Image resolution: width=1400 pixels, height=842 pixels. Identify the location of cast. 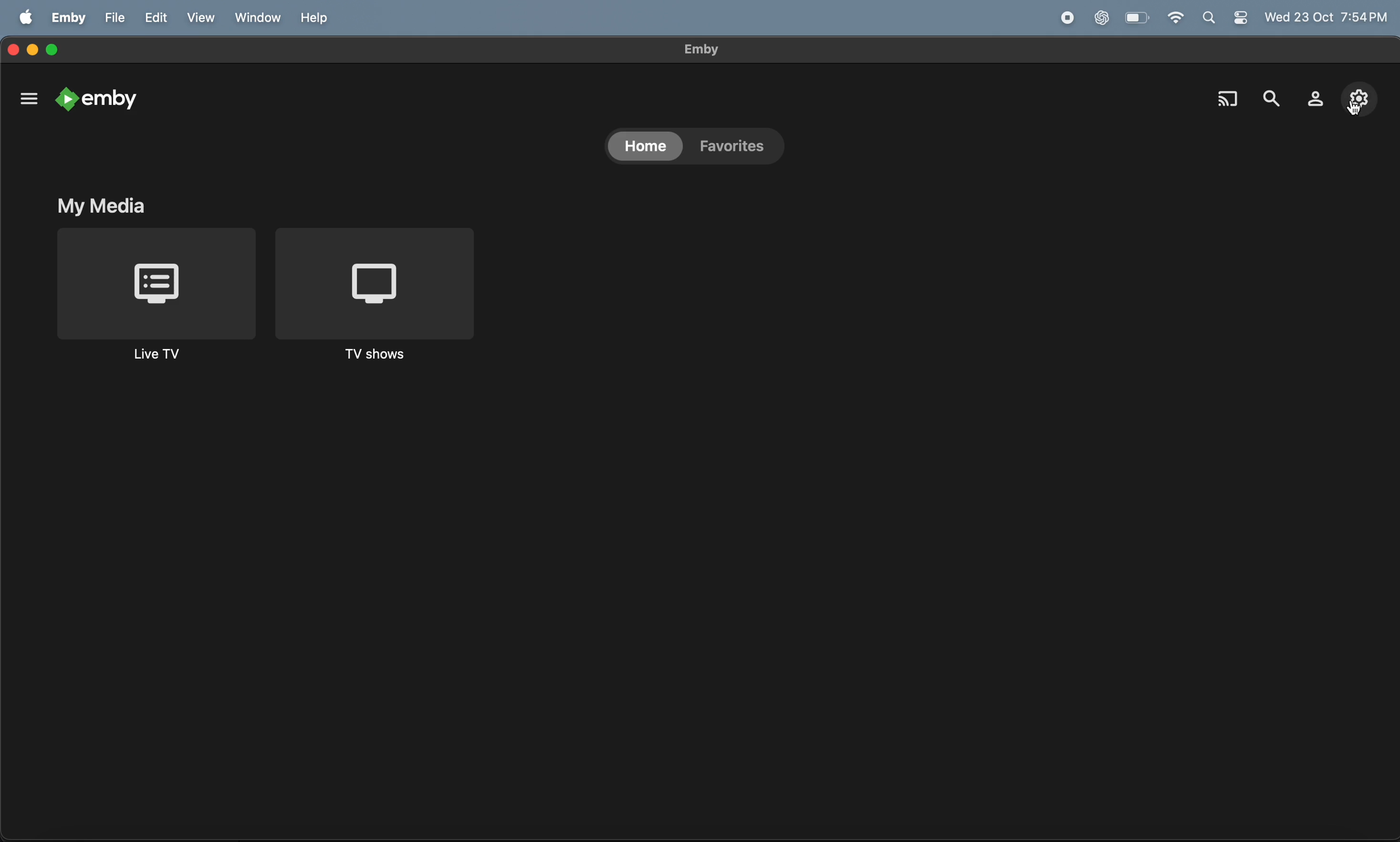
(1226, 97).